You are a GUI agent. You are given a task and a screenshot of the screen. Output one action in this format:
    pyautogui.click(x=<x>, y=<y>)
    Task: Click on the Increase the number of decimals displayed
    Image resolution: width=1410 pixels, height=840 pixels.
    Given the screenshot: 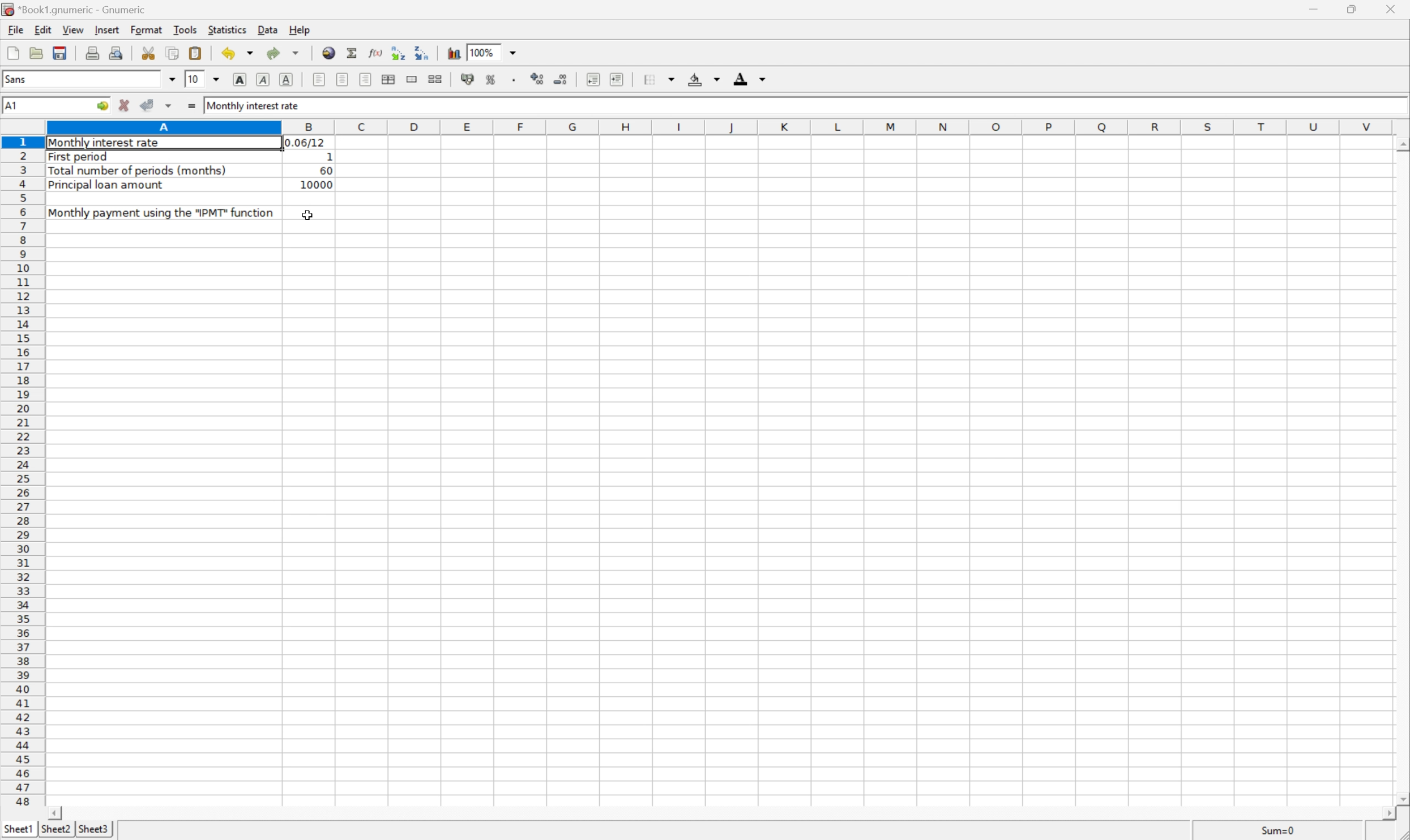 What is the action you would take?
    pyautogui.click(x=539, y=79)
    